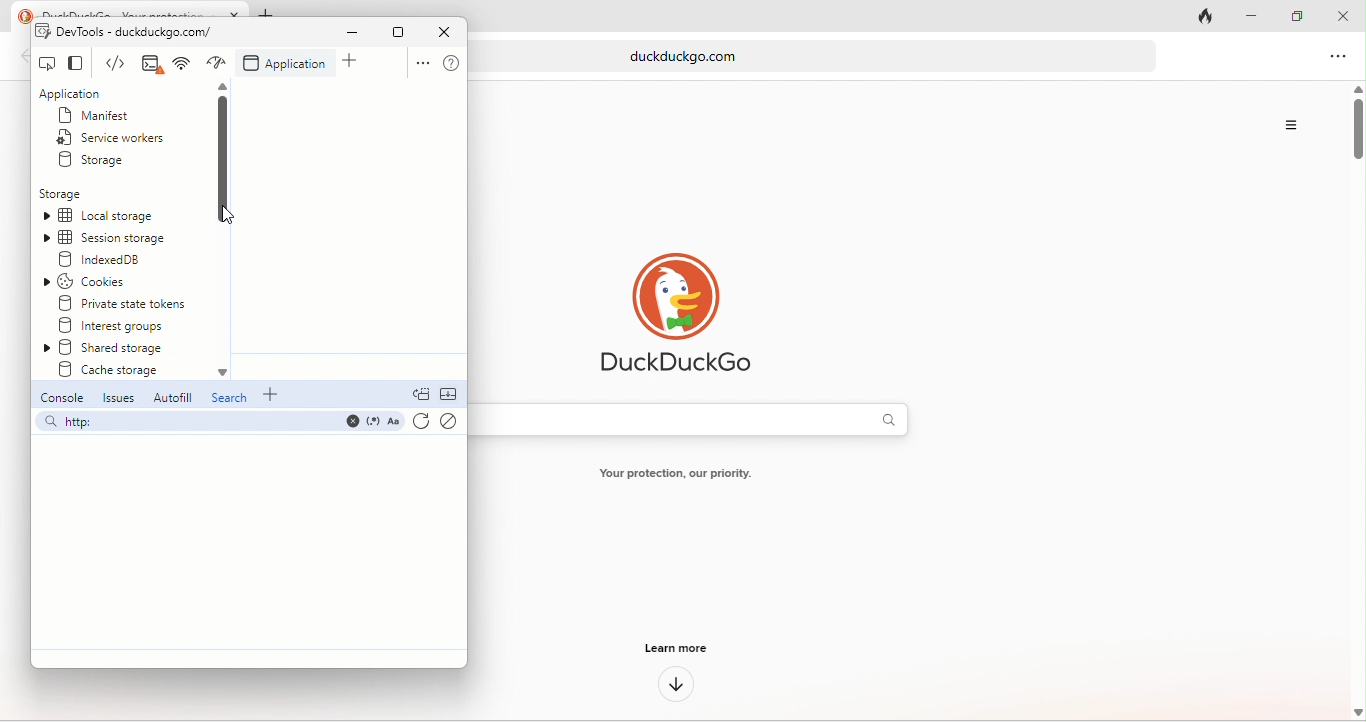 The image size is (1366, 722). Describe the element at coordinates (112, 138) in the screenshot. I see `service workers` at that location.